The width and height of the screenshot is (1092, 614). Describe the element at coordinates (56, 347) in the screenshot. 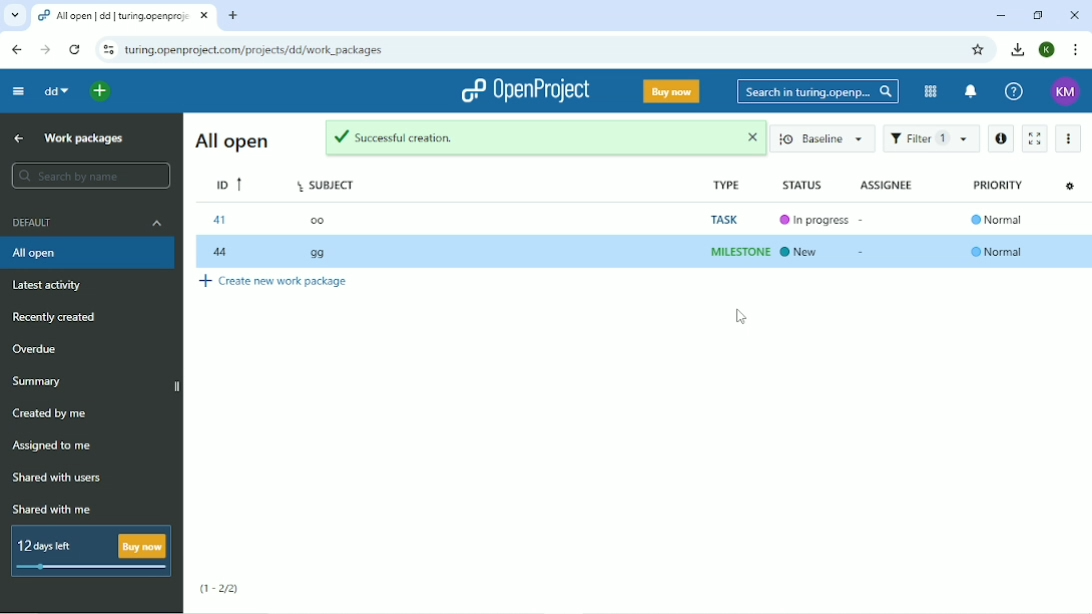

I see `overview` at that location.